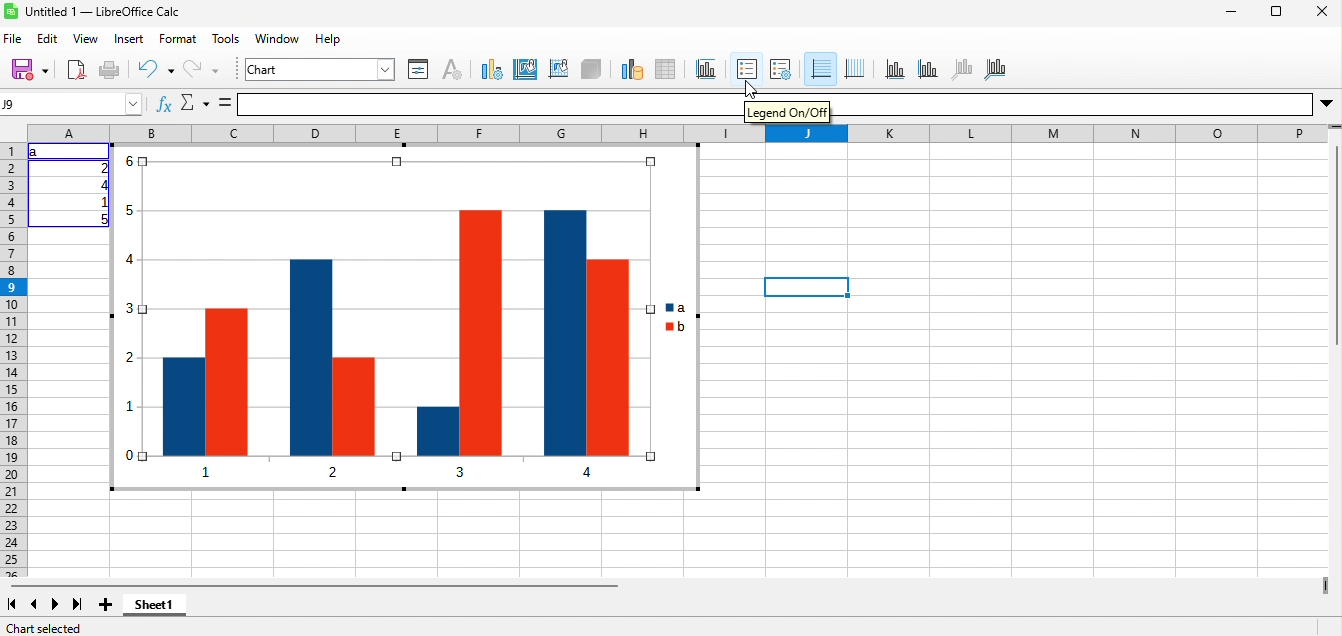 The image size is (1342, 636). Describe the element at coordinates (453, 70) in the screenshot. I see `character` at that location.